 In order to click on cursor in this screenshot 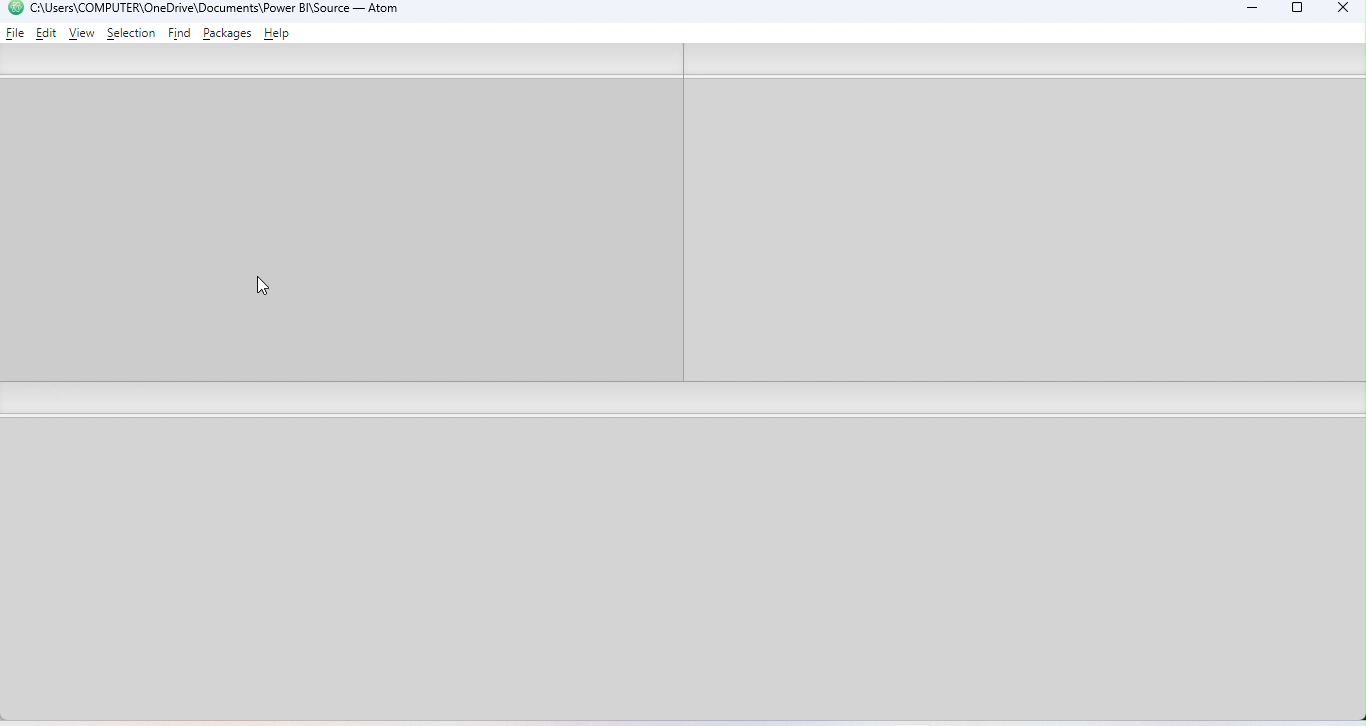, I will do `click(271, 288)`.